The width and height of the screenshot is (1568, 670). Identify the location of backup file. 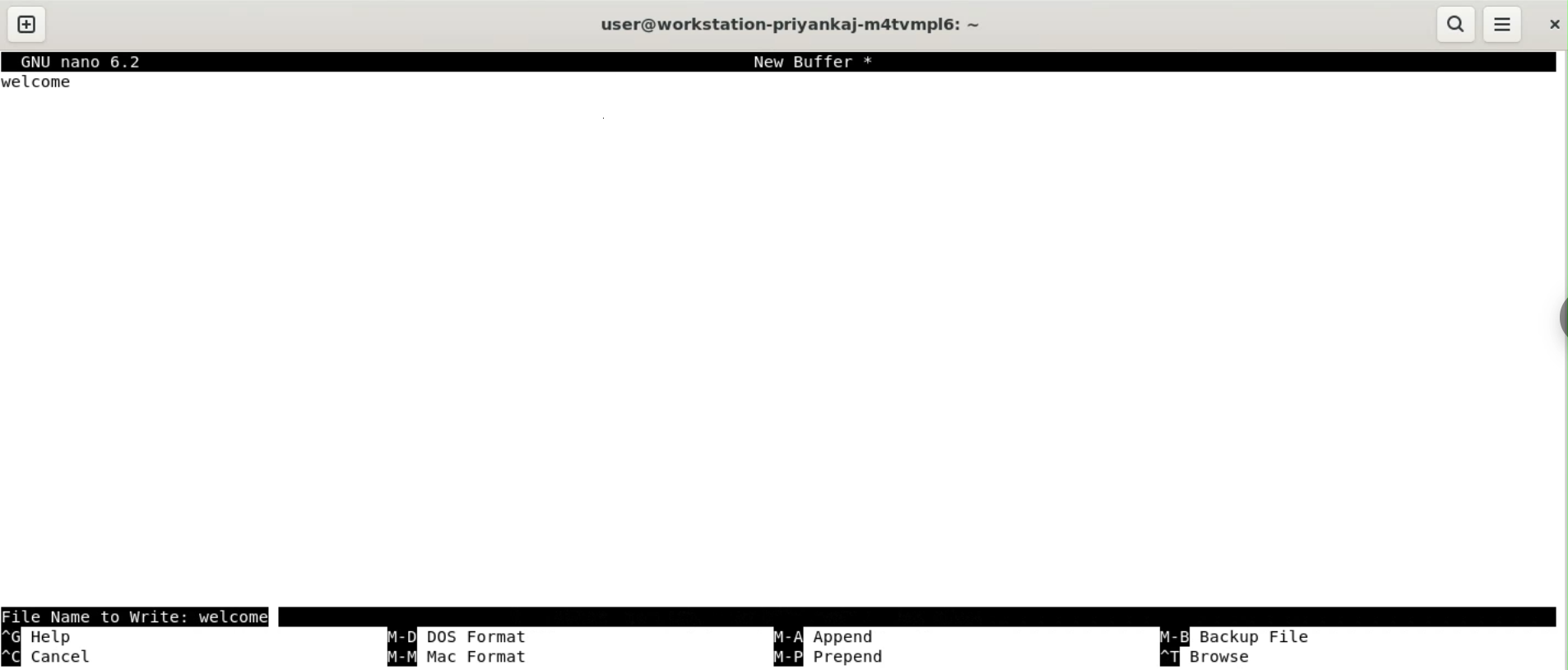
(1233, 636).